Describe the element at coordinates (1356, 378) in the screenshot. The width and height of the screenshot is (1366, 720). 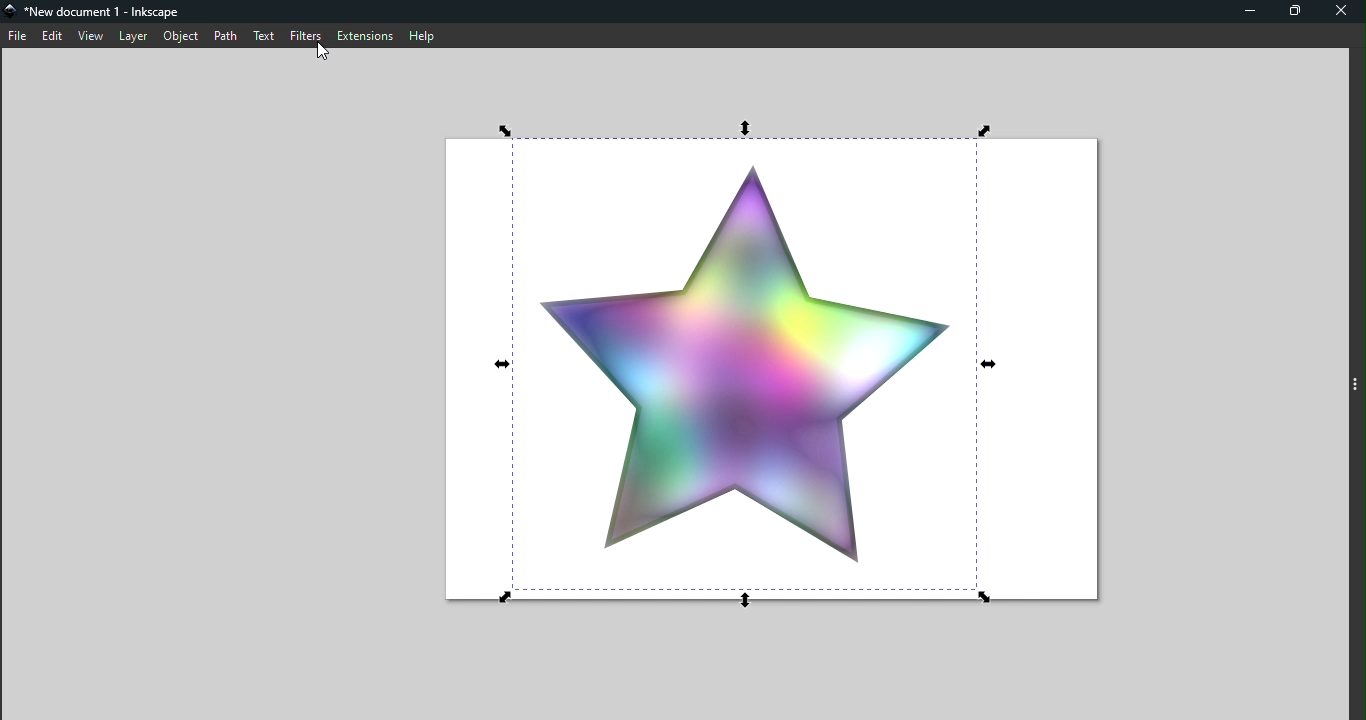
I see `Toggle command panel` at that location.